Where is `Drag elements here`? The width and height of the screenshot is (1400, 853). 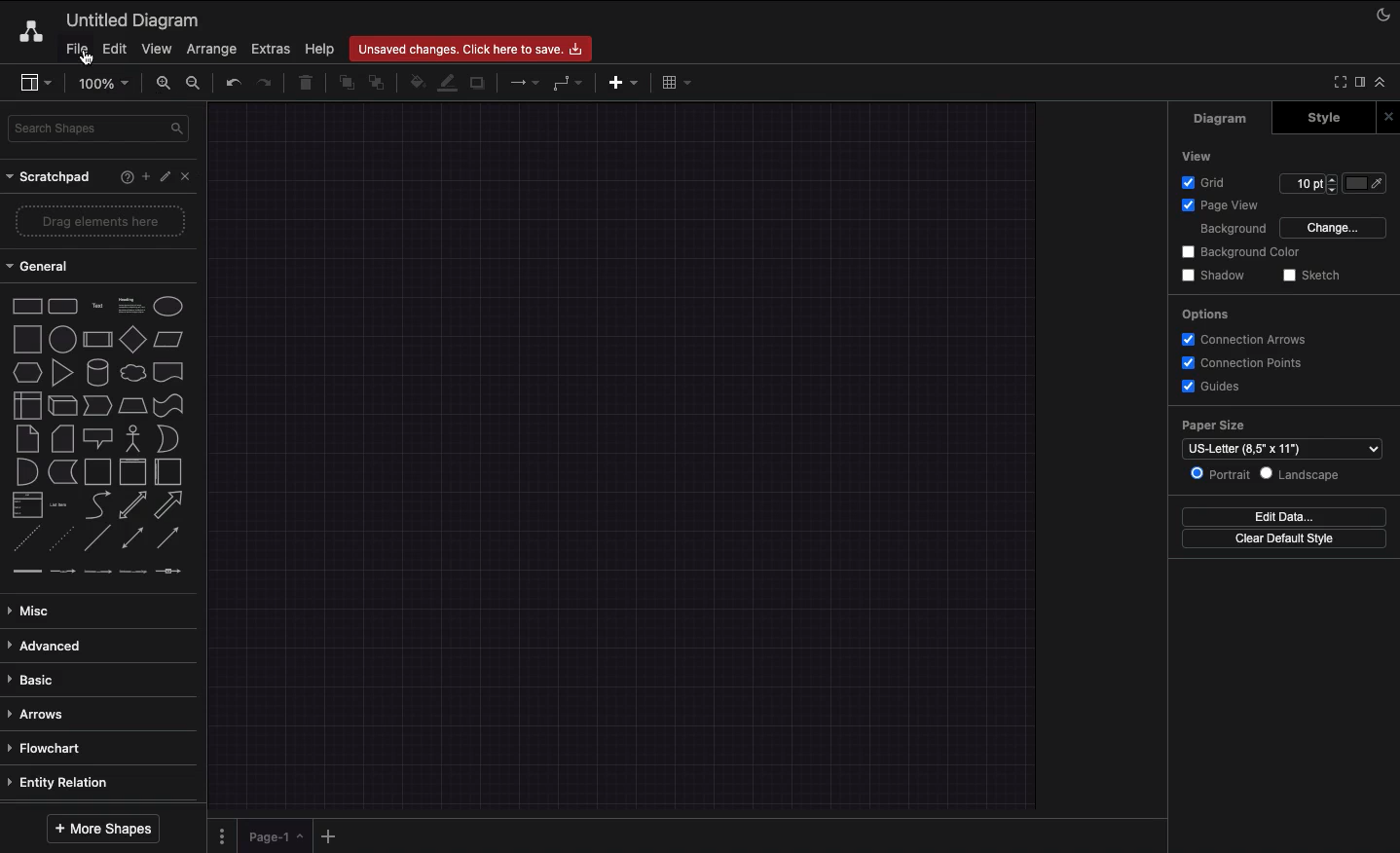
Drag elements here is located at coordinates (103, 221).